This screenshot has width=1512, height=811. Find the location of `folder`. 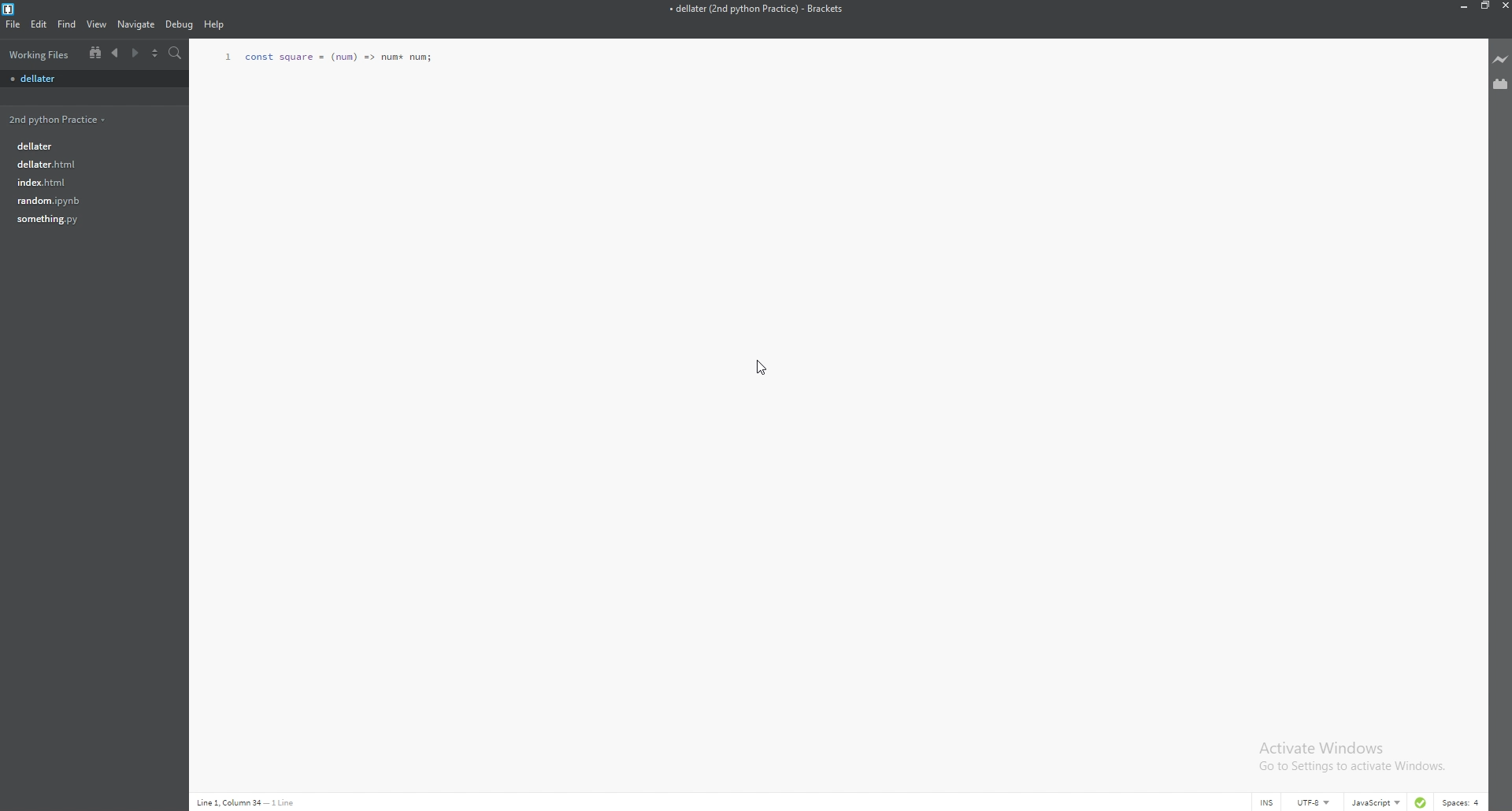

folder is located at coordinates (56, 118).